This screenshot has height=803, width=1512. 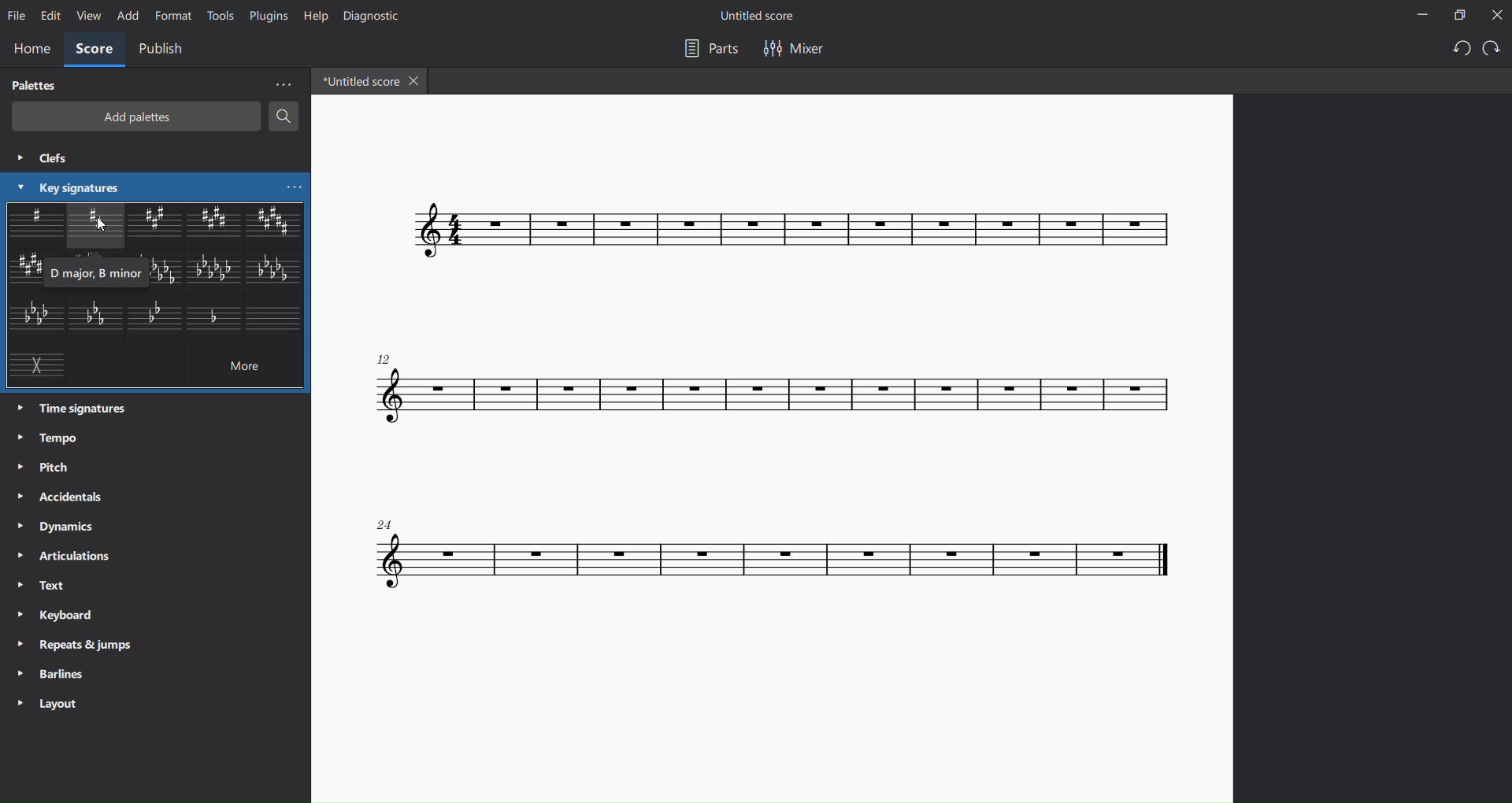 What do you see at coordinates (1458, 16) in the screenshot?
I see `maximize` at bounding box center [1458, 16].